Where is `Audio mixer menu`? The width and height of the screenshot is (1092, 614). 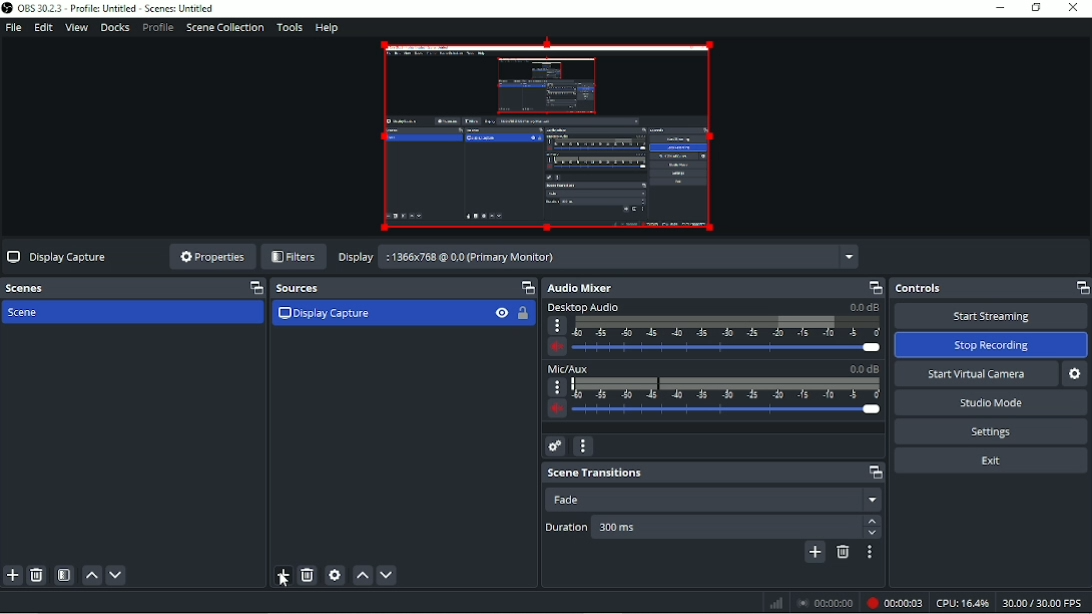 Audio mixer menu is located at coordinates (583, 447).